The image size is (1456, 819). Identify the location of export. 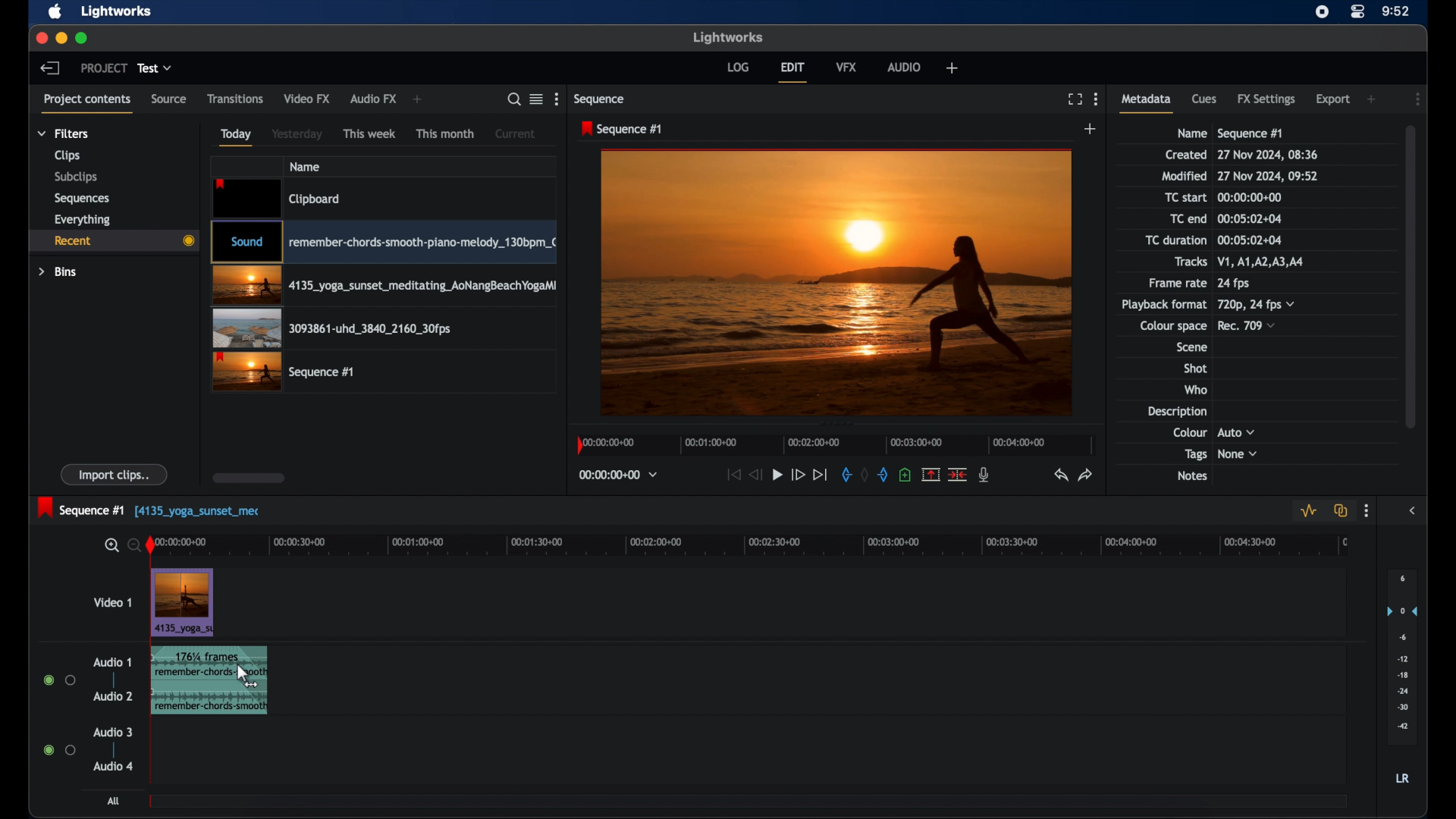
(1332, 99).